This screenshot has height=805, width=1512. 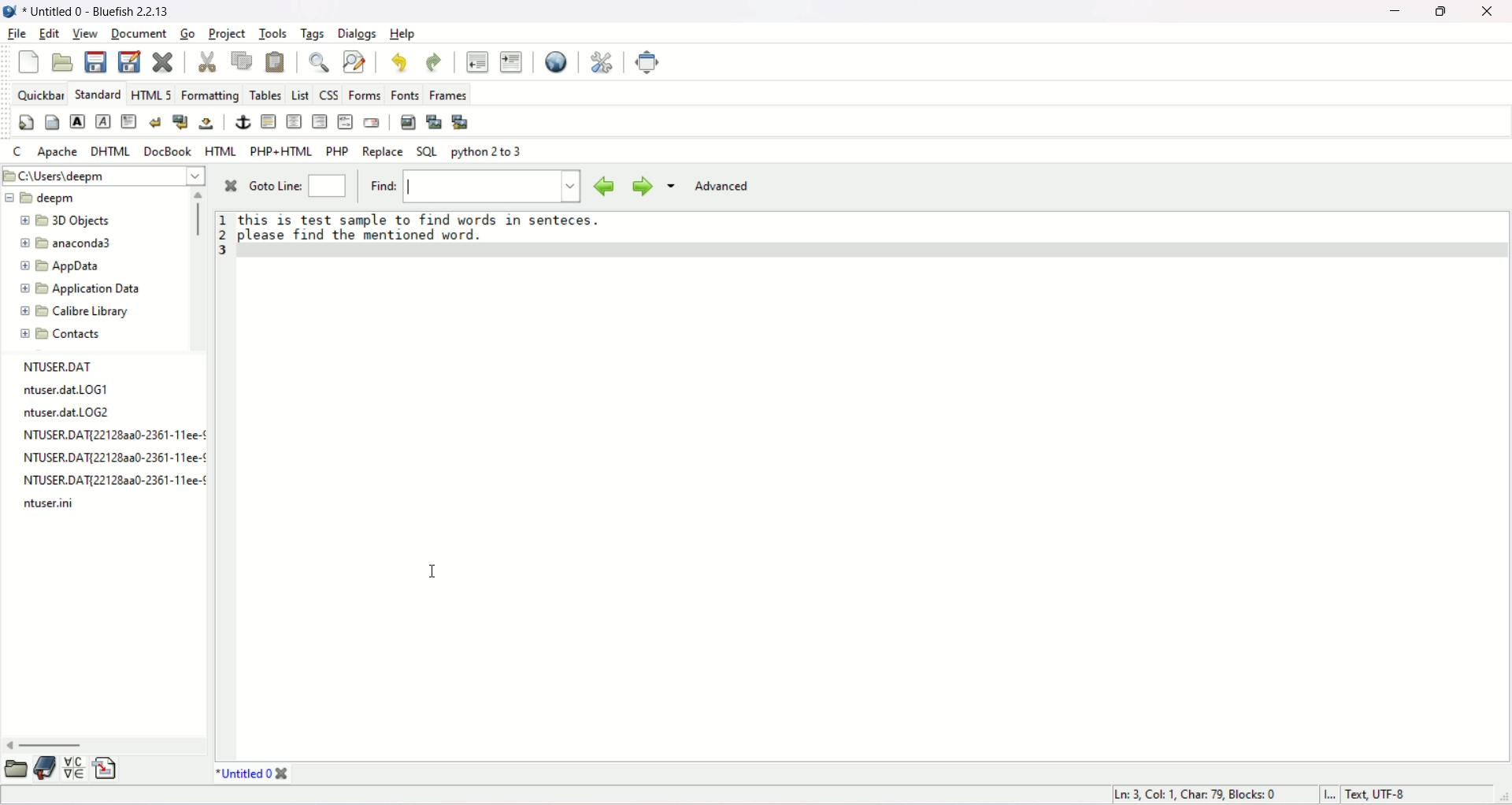 What do you see at coordinates (725, 188) in the screenshot?
I see `advanced` at bounding box center [725, 188].